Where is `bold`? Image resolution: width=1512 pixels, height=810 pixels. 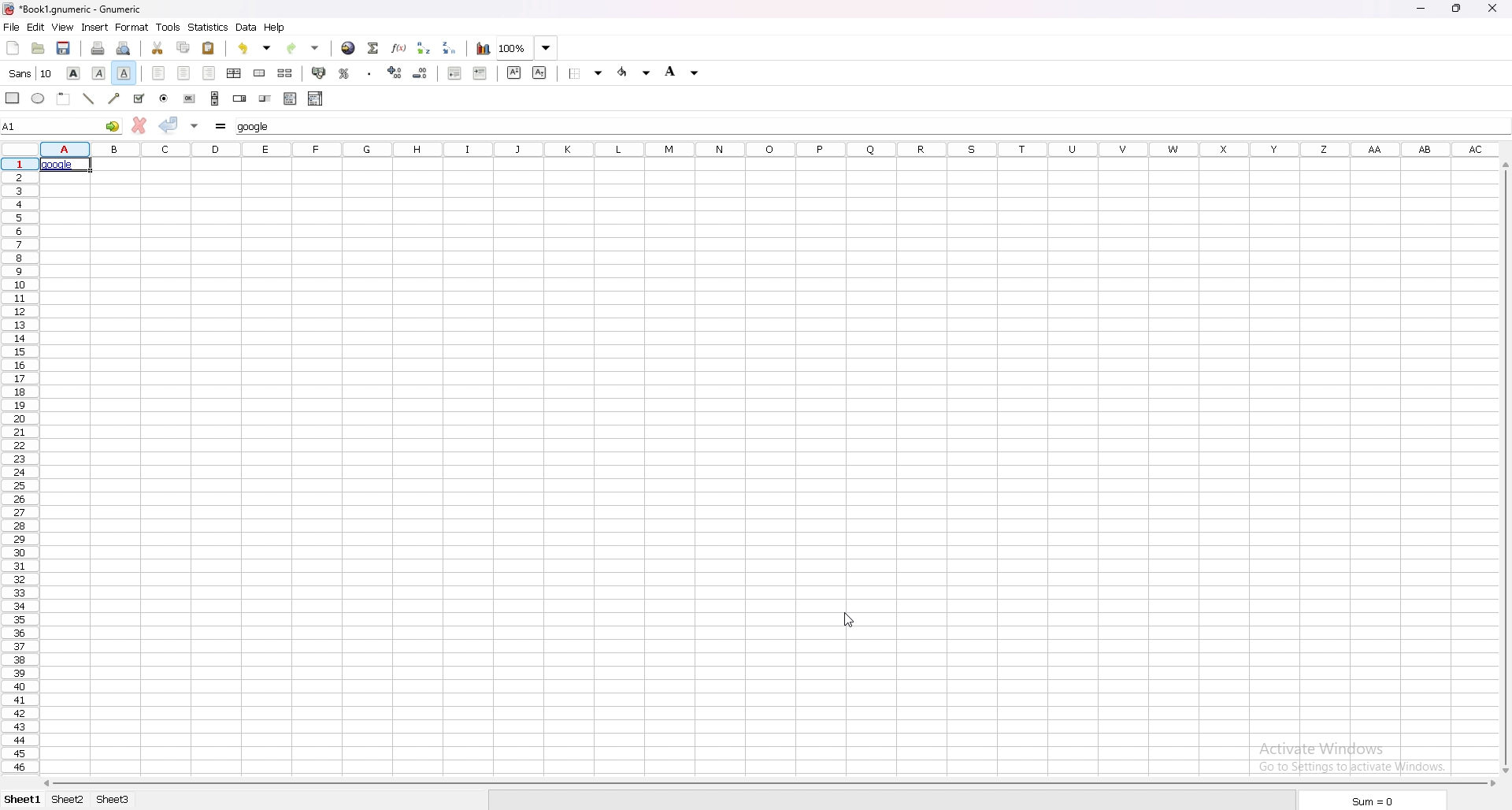 bold is located at coordinates (74, 73).